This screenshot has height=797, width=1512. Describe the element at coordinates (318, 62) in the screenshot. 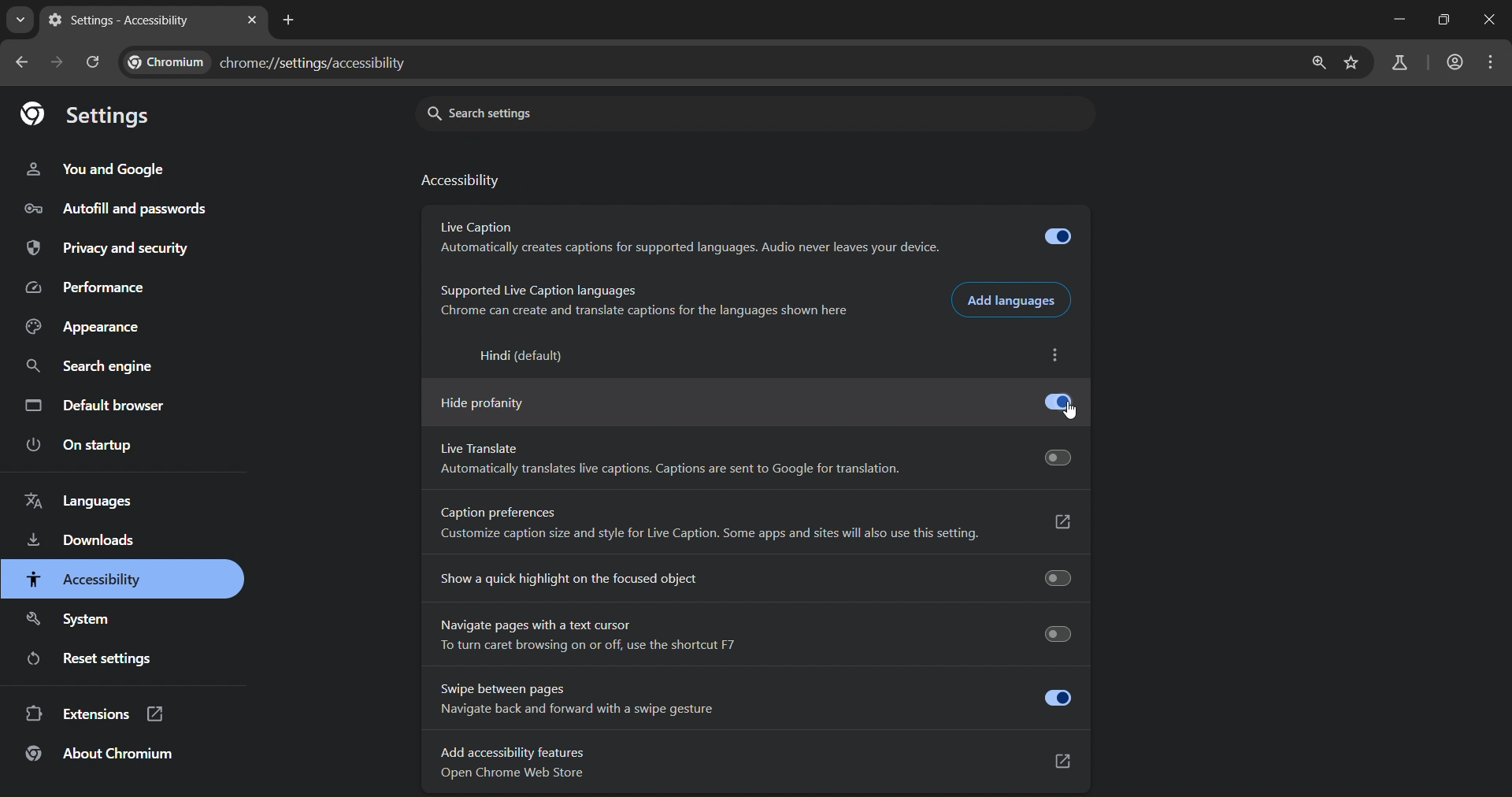

I see `chrome://settings/accessibility` at that location.